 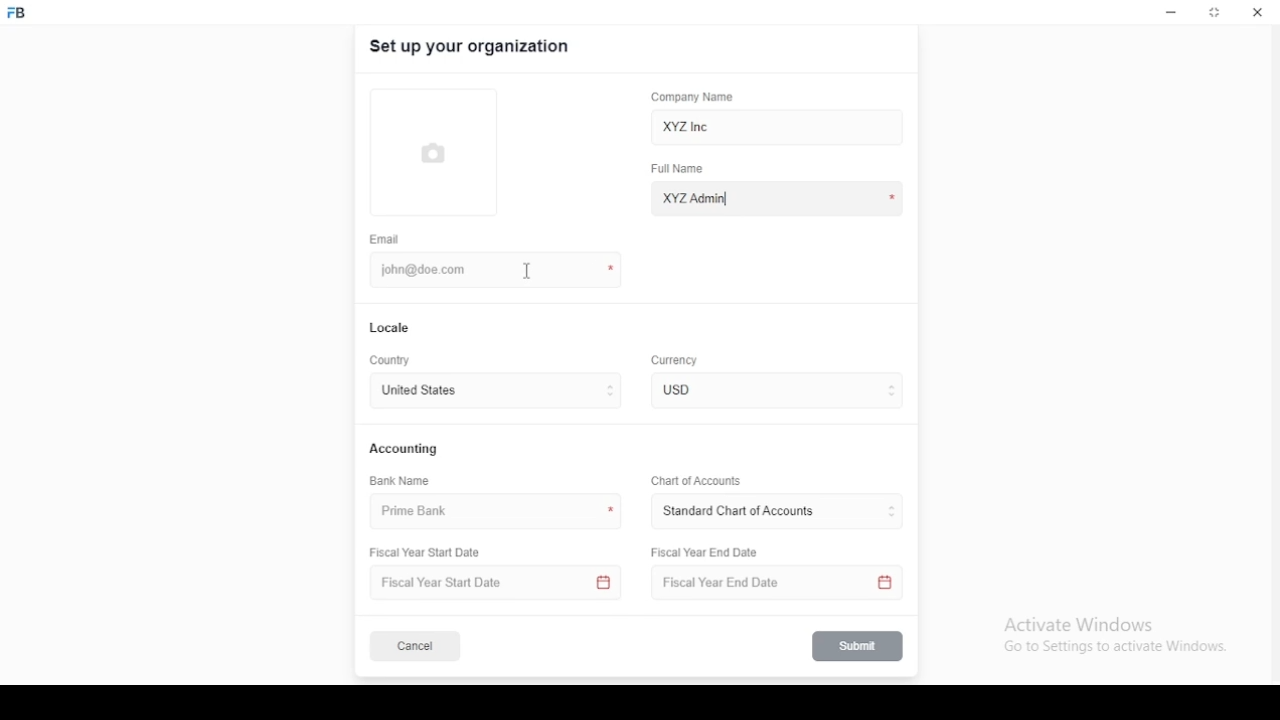 I want to click on XYZ Admin, so click(x=777, y=197).